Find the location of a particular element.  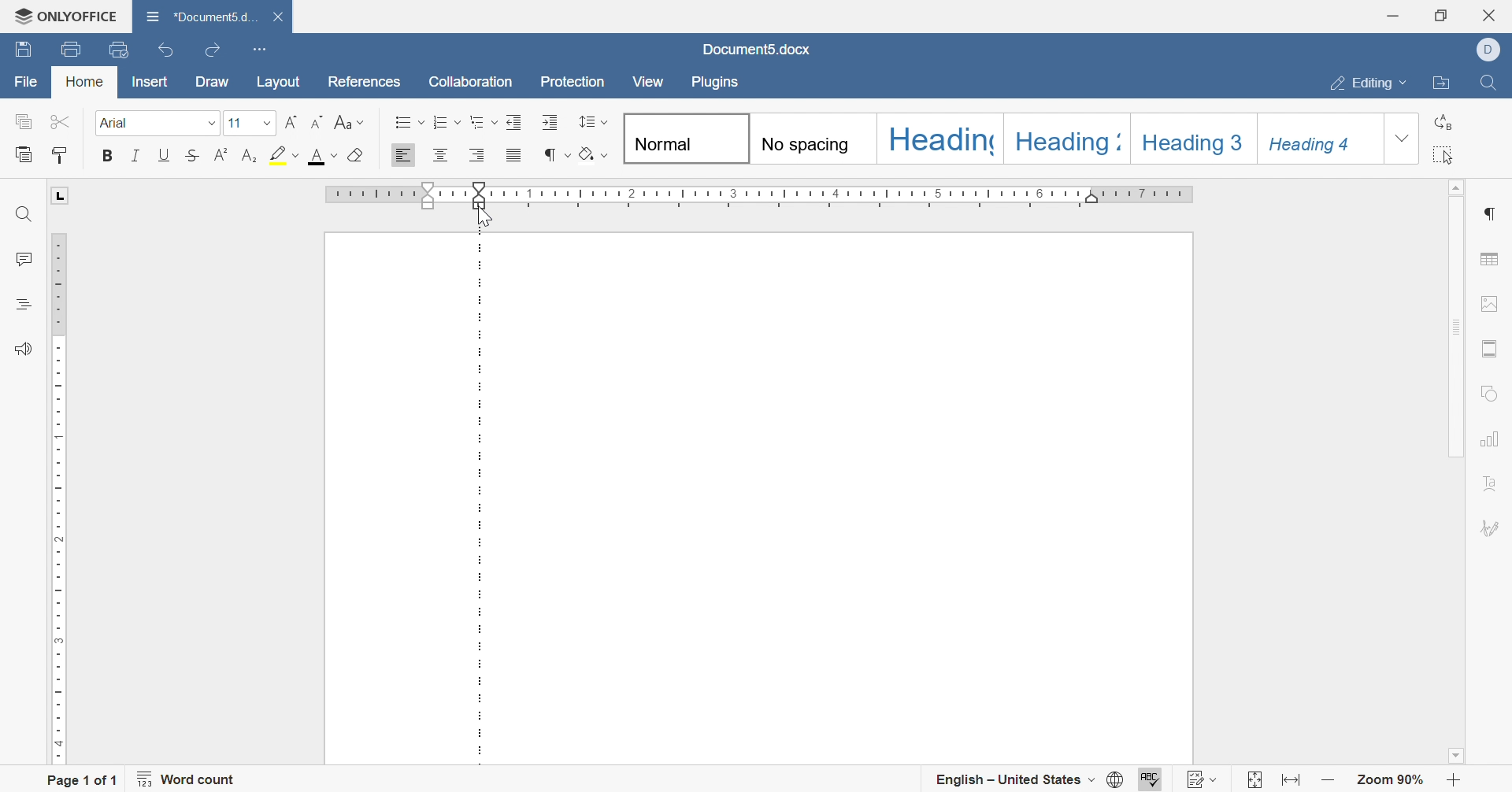

save is located at coordinates (26, 47).